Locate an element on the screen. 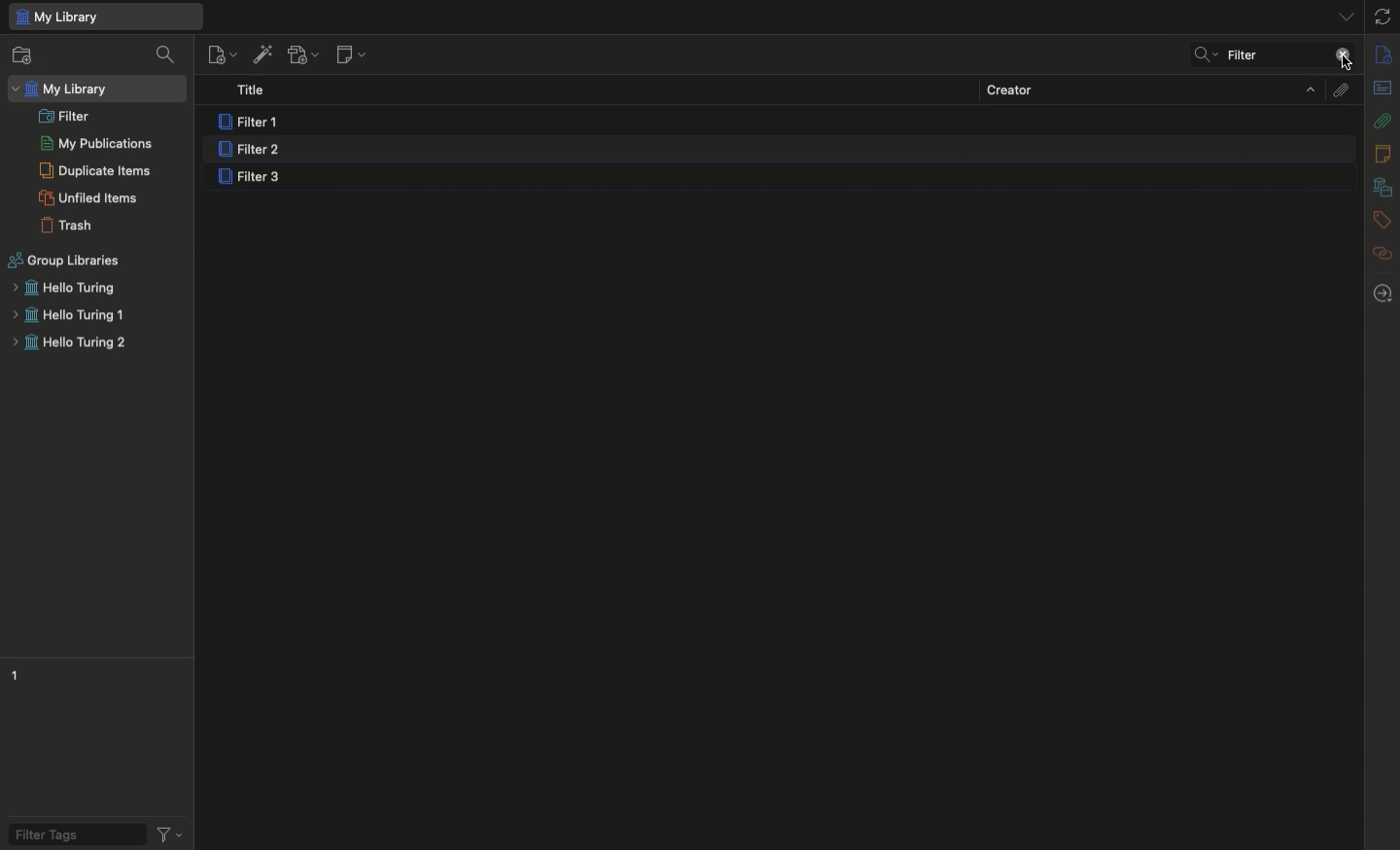 The image size is (1400, 850). Attachments is located at coordinates (1339, 89).